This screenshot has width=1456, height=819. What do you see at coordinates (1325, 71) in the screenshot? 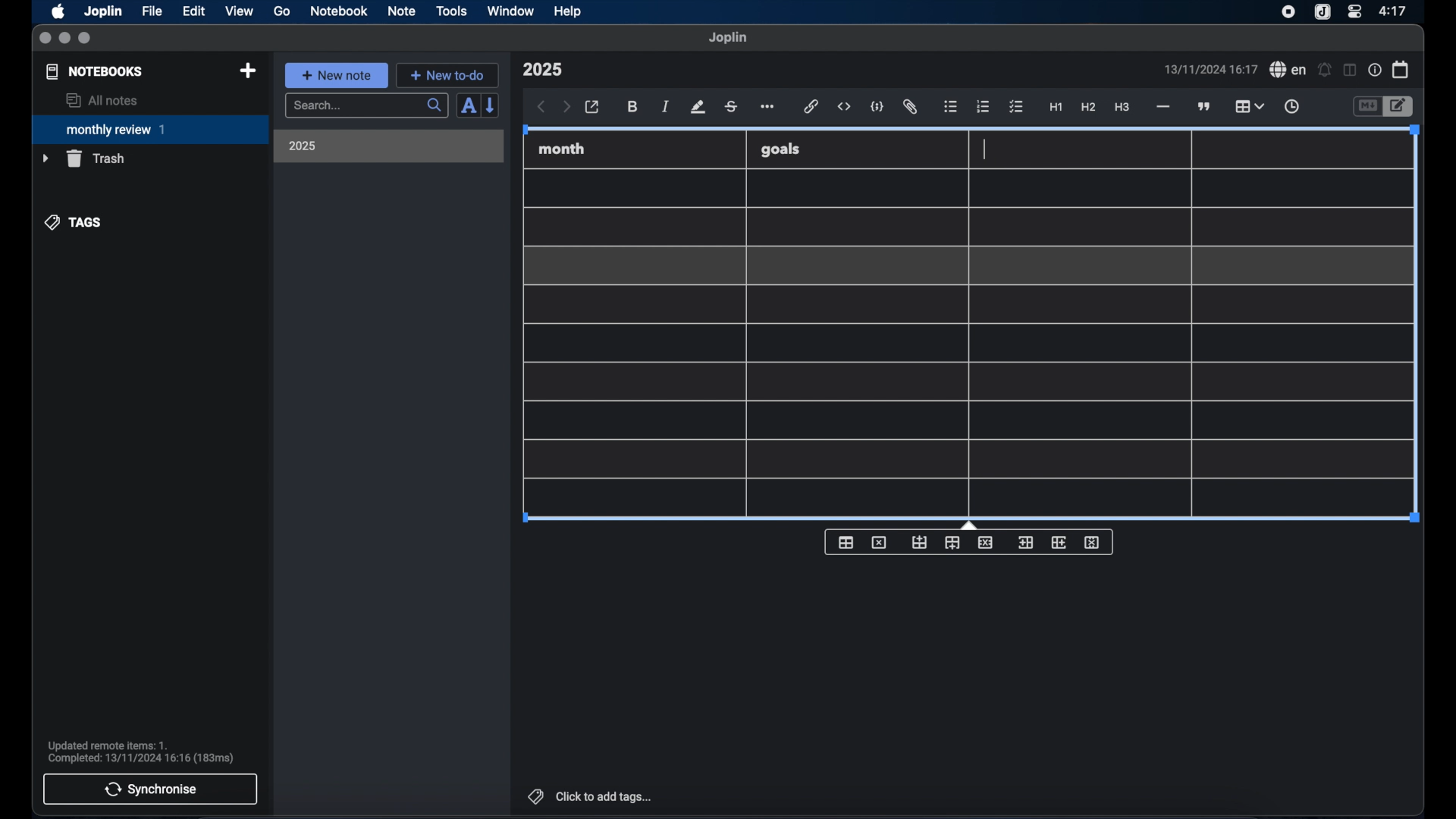
I see `set alarm` at bounding box center [1325, 71].